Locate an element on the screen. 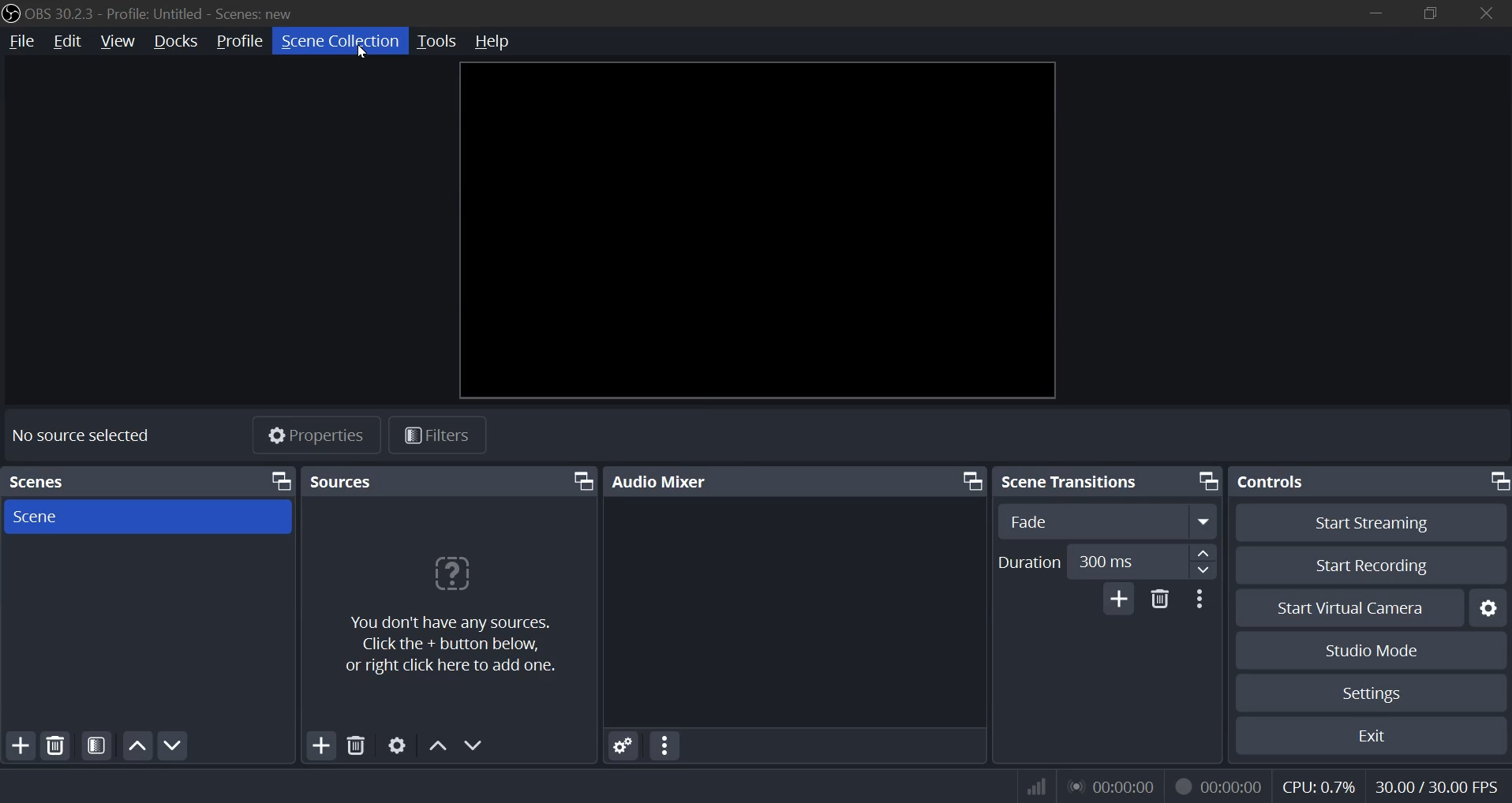  add is located at coordinates (1119, 599).